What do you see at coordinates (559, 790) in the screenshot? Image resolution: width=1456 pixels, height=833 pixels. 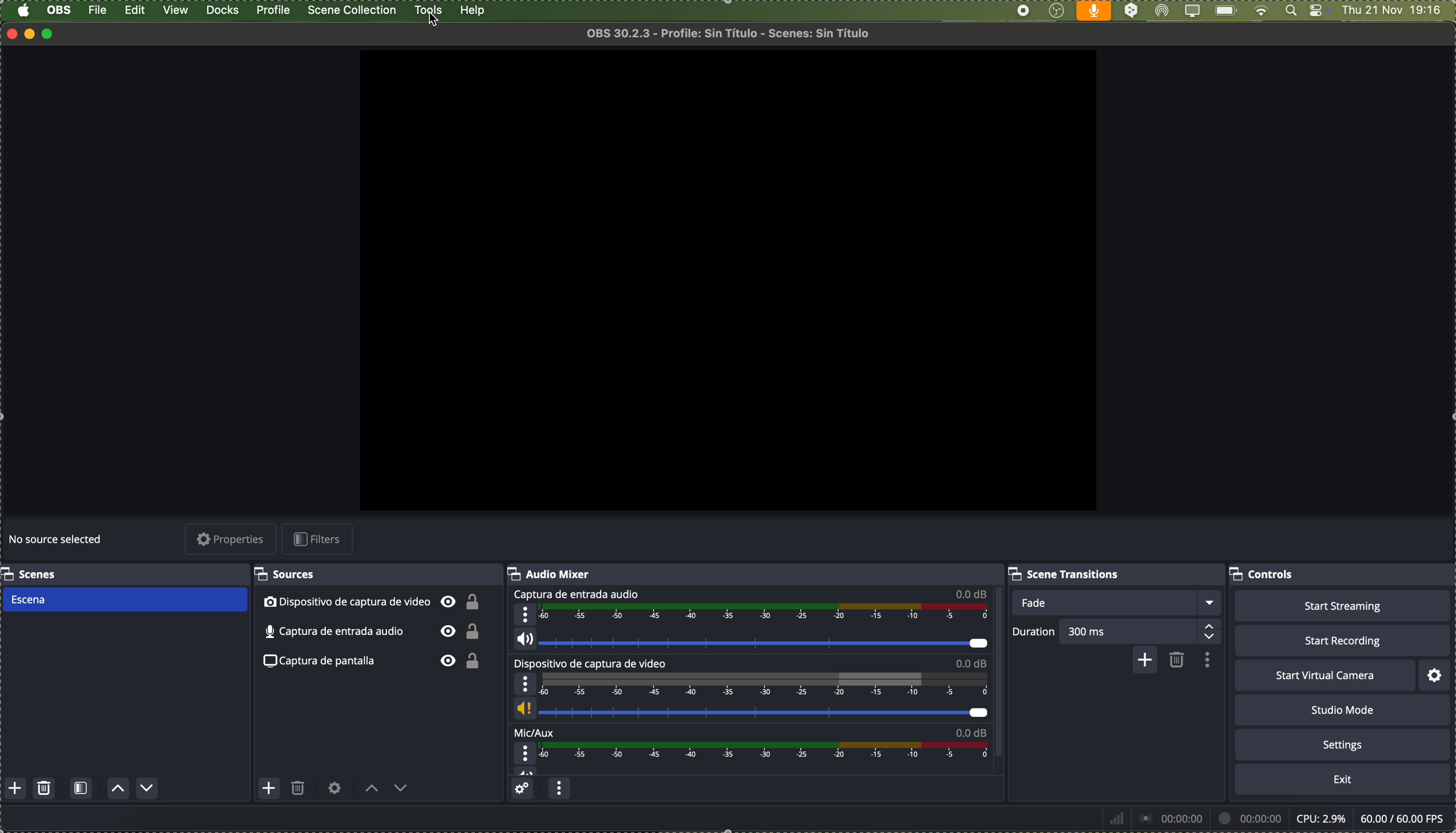 I see `audio mixer menu` at bounding box center [559, 790].